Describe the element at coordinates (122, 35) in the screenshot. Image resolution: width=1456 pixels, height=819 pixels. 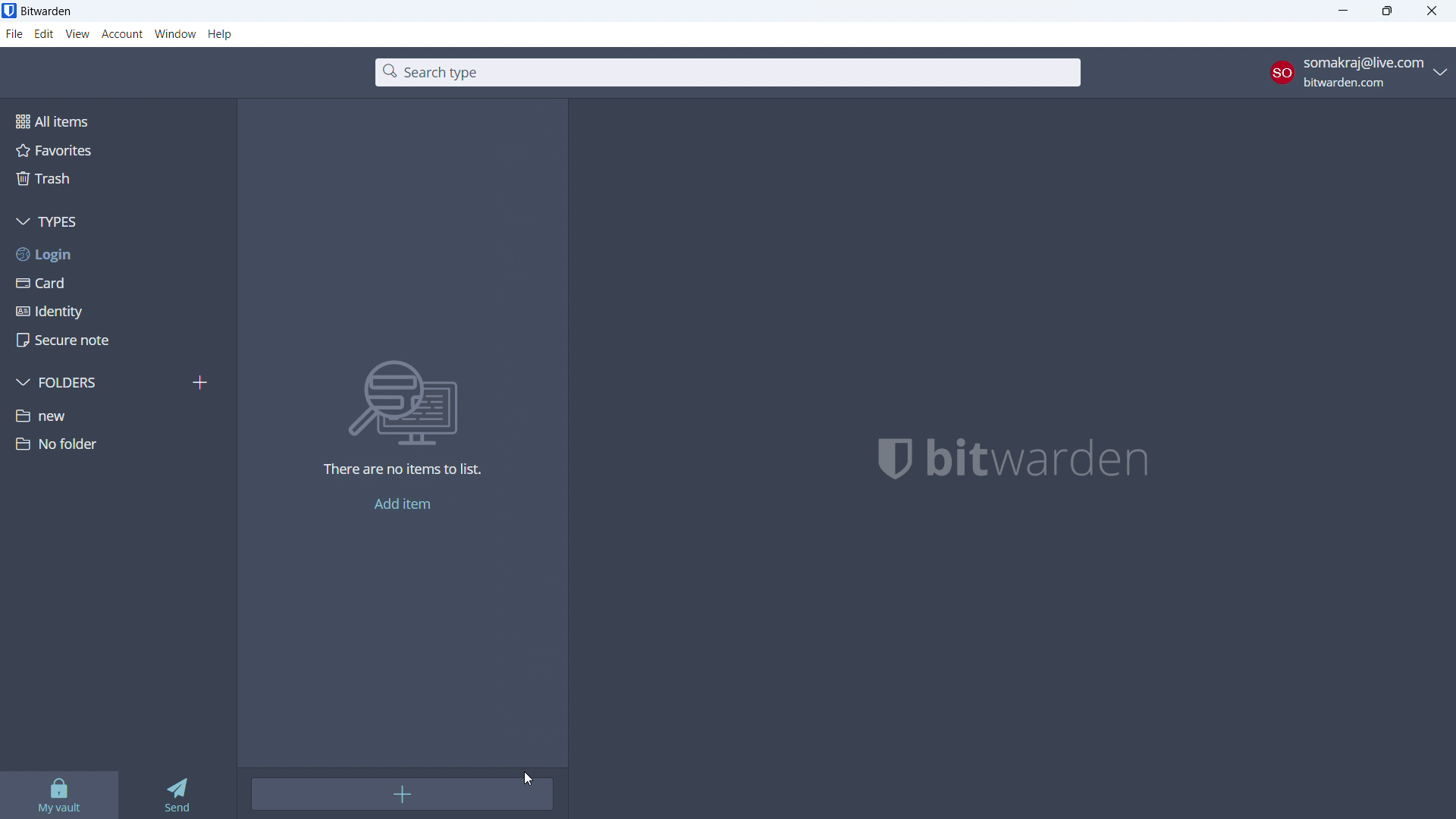
I see `account` at that location.